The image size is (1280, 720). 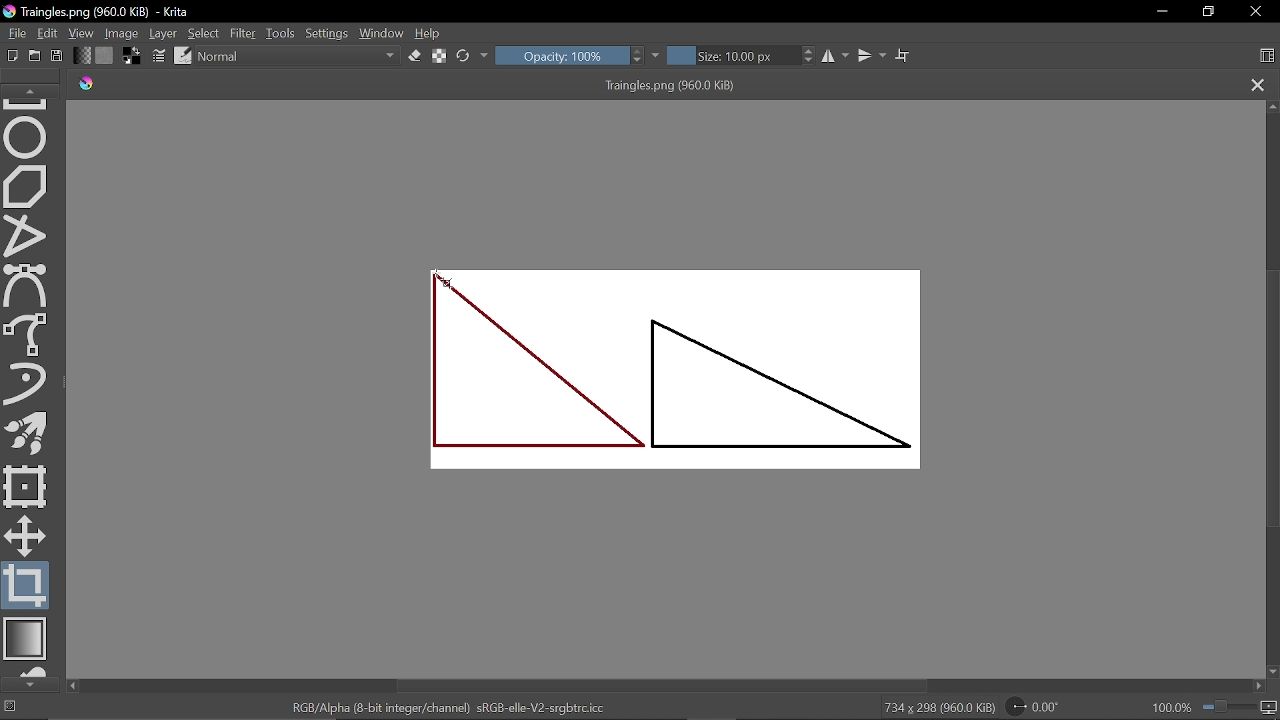 I want to click on No selection, so click(x=10, y=708).